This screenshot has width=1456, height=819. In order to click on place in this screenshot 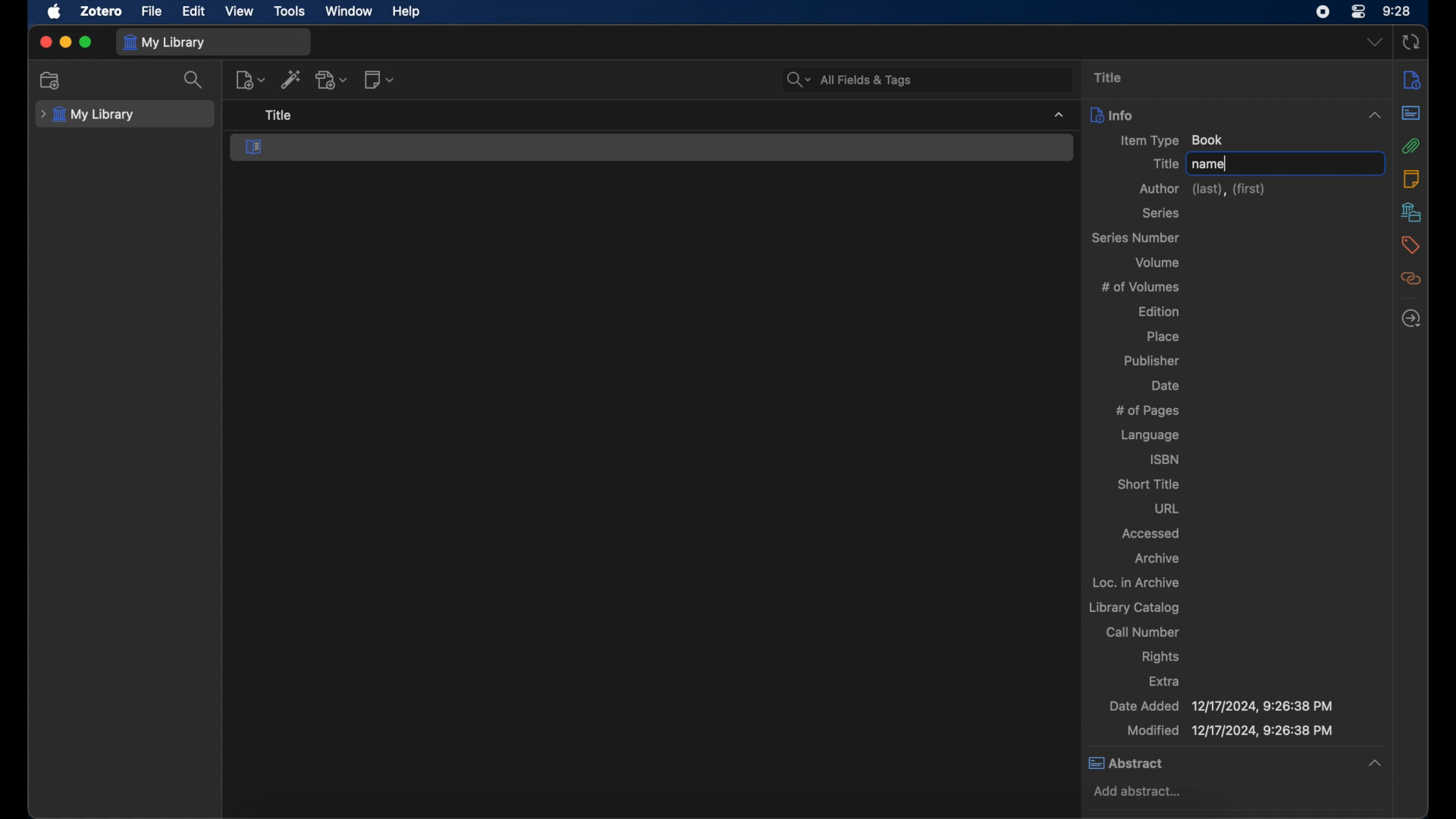, I will do `click(1164, 337)`.